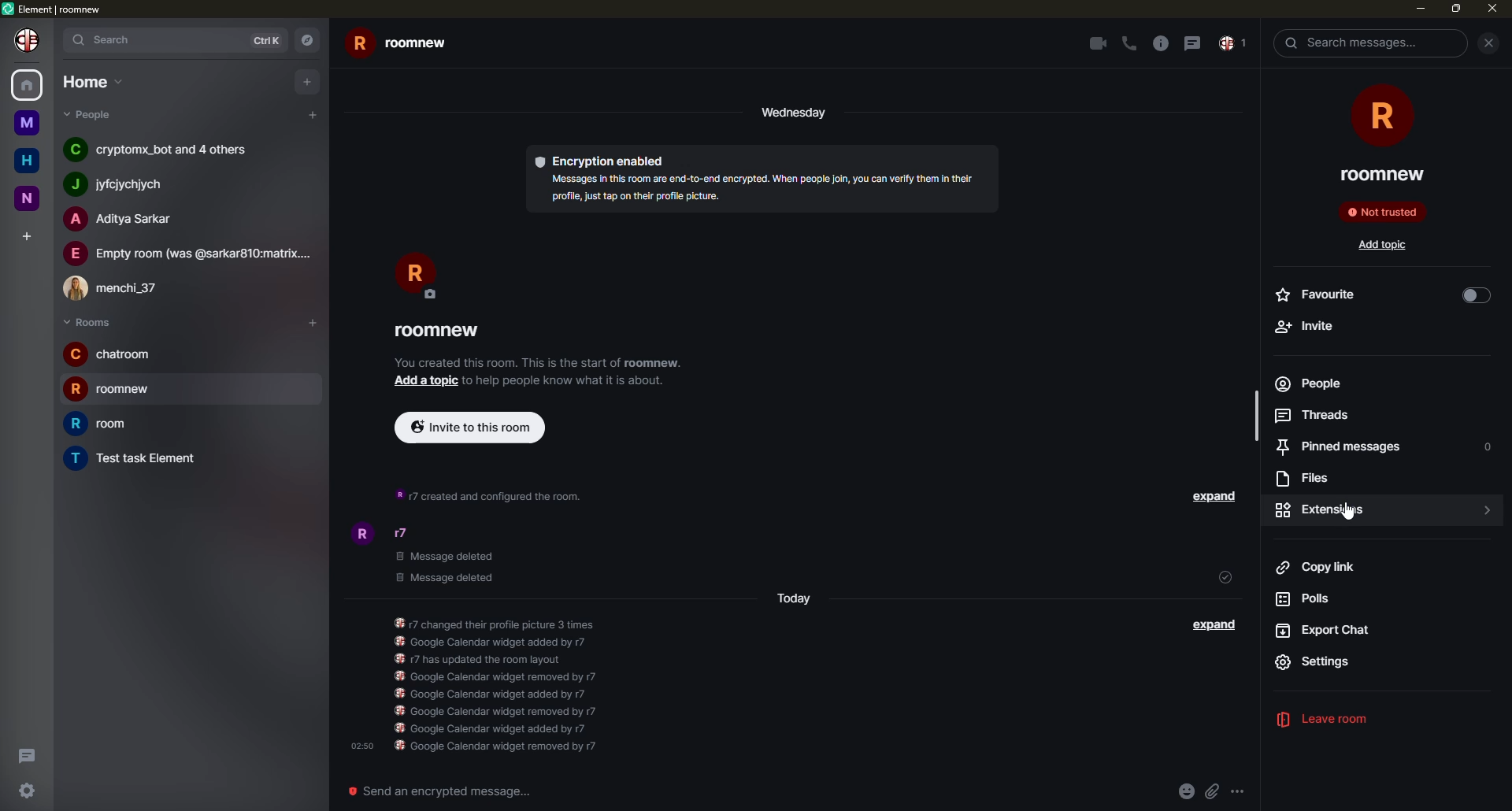 This screenshot has height=811, width=1512. I want to click on 7] Threads, so click(1317, 415).